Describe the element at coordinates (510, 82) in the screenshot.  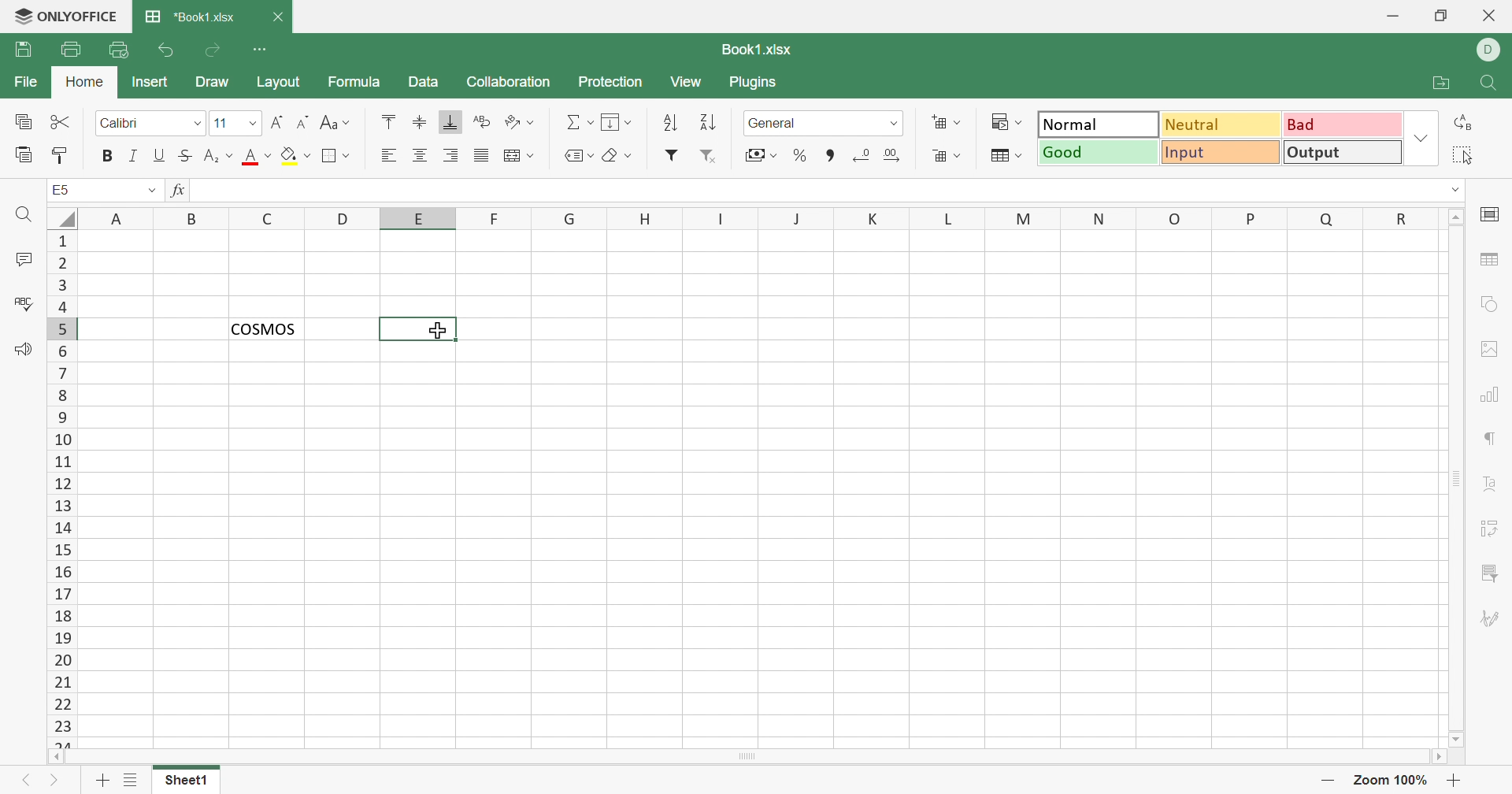
I see `Collaboration` at that location.